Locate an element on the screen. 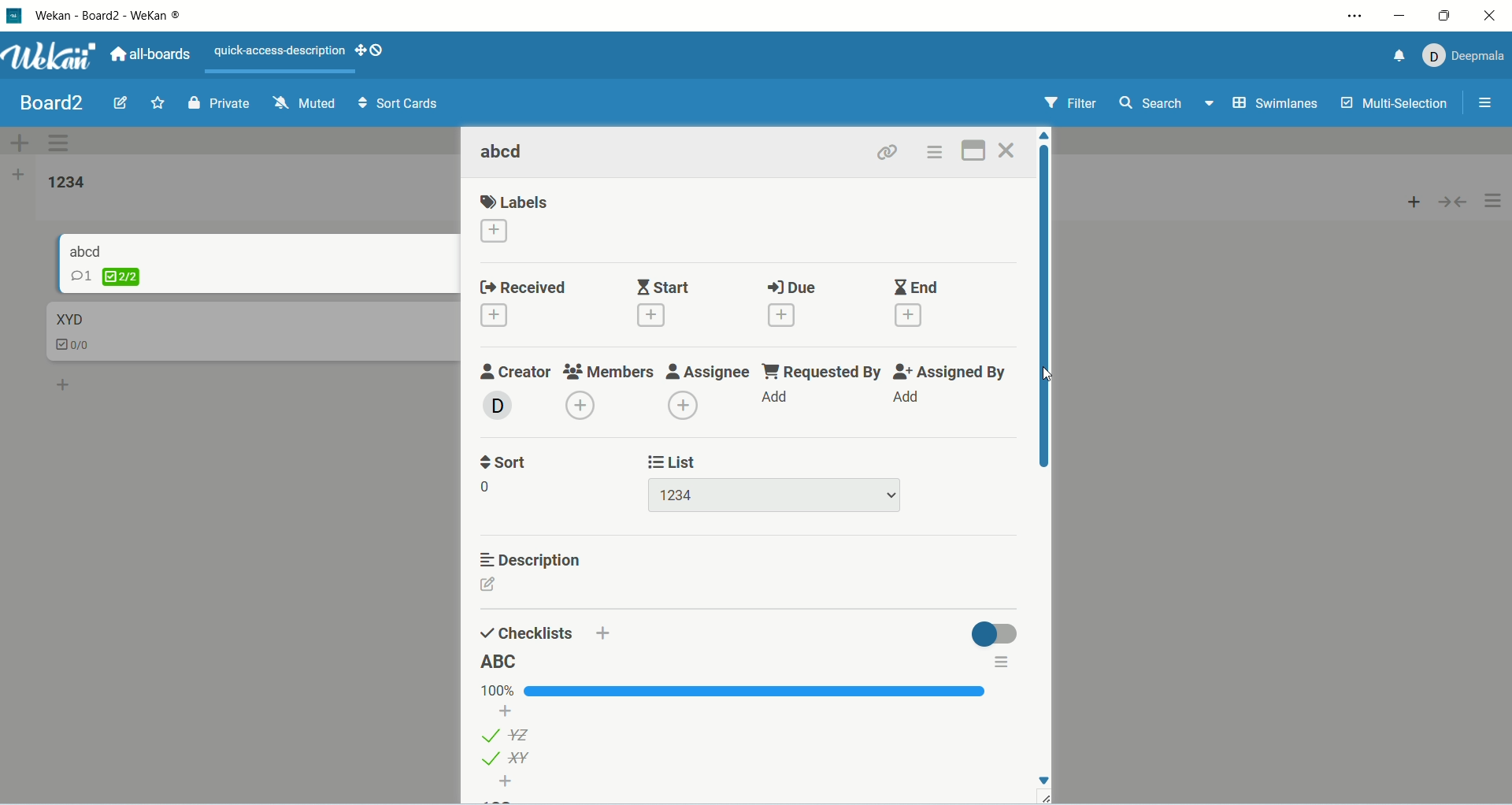  assignee is located at coordinates (708, 372).